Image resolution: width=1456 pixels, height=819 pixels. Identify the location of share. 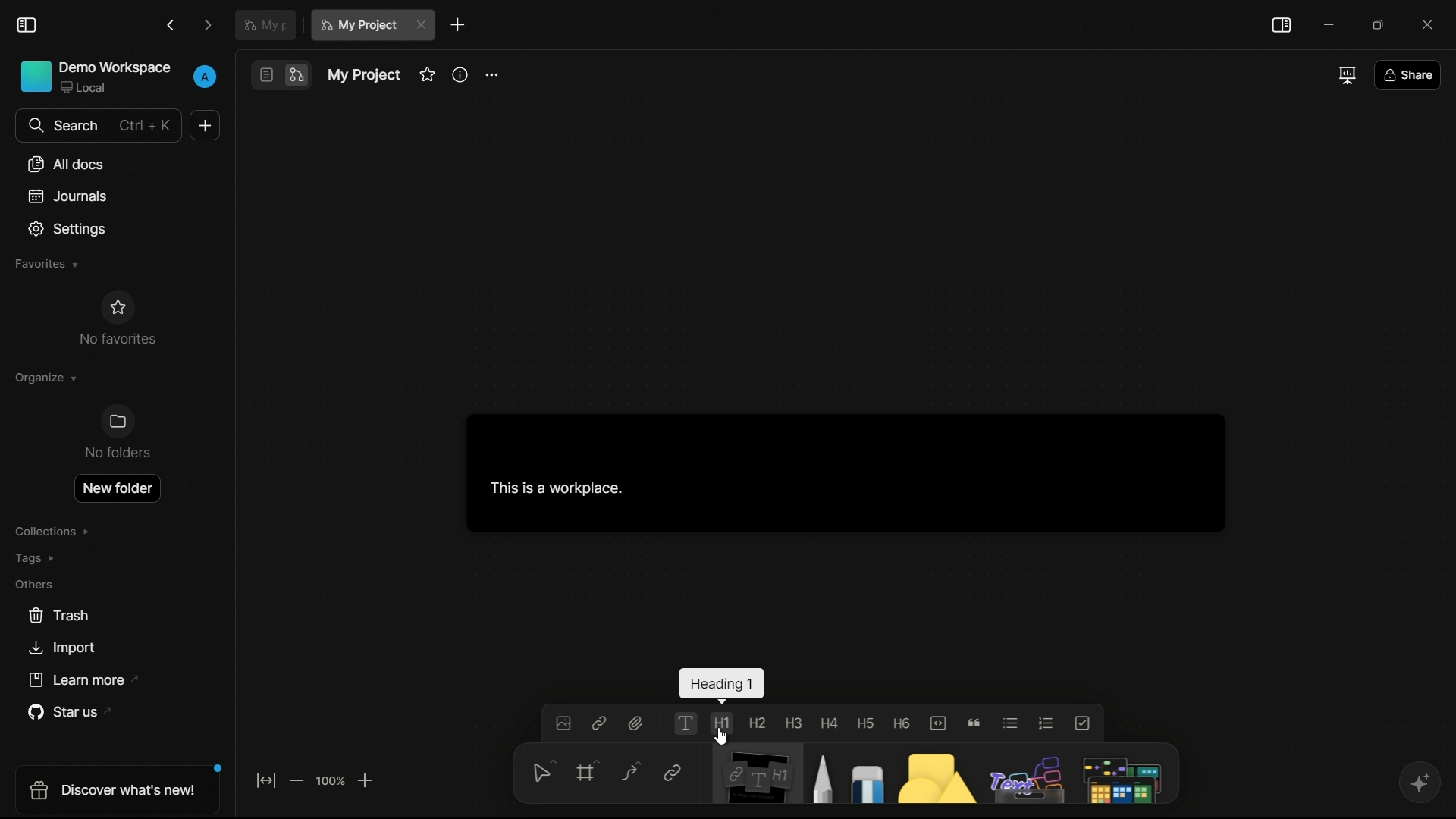
(1410, 74).